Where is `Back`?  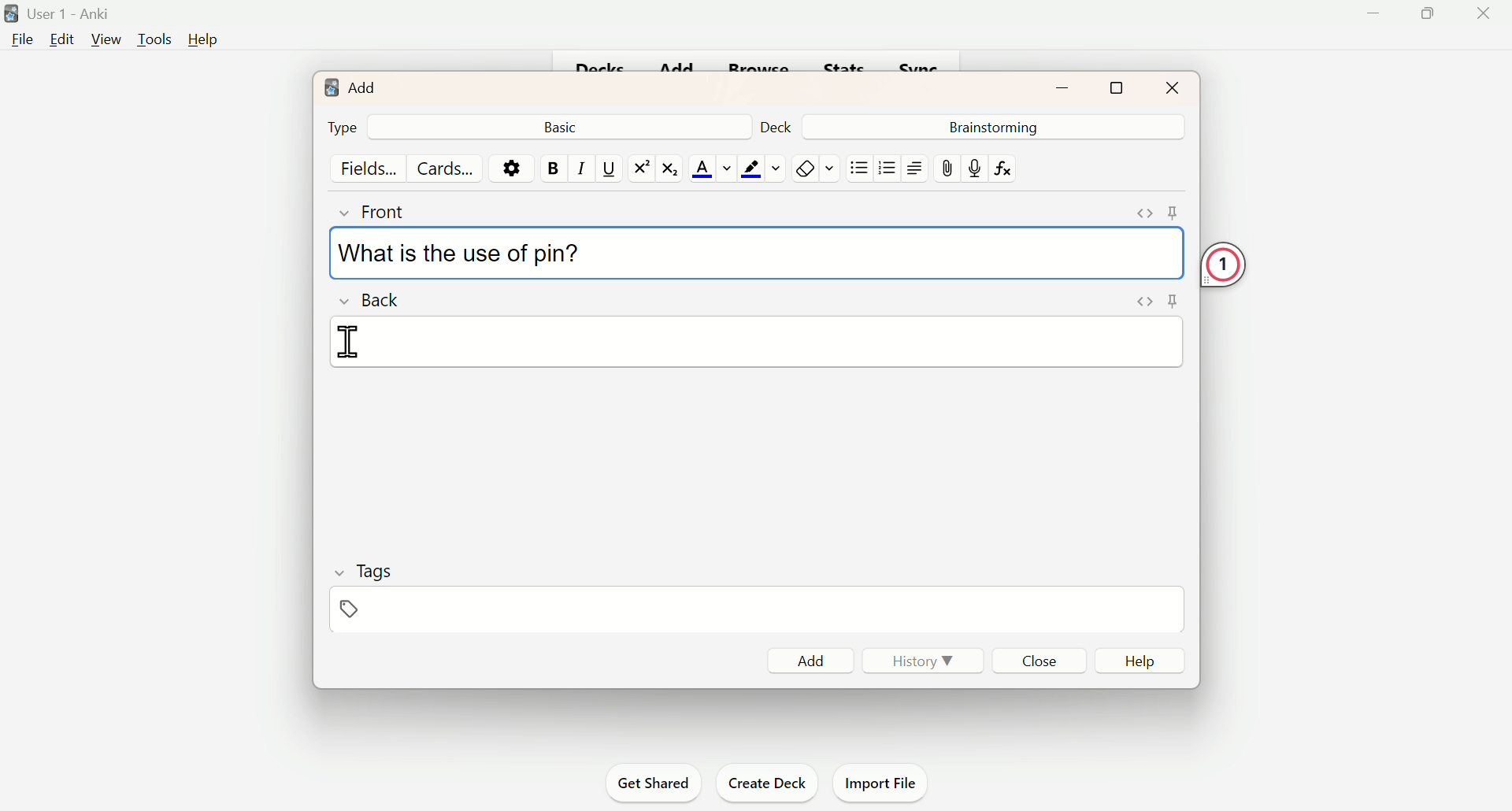 Back is located at coordinates (374, 298).